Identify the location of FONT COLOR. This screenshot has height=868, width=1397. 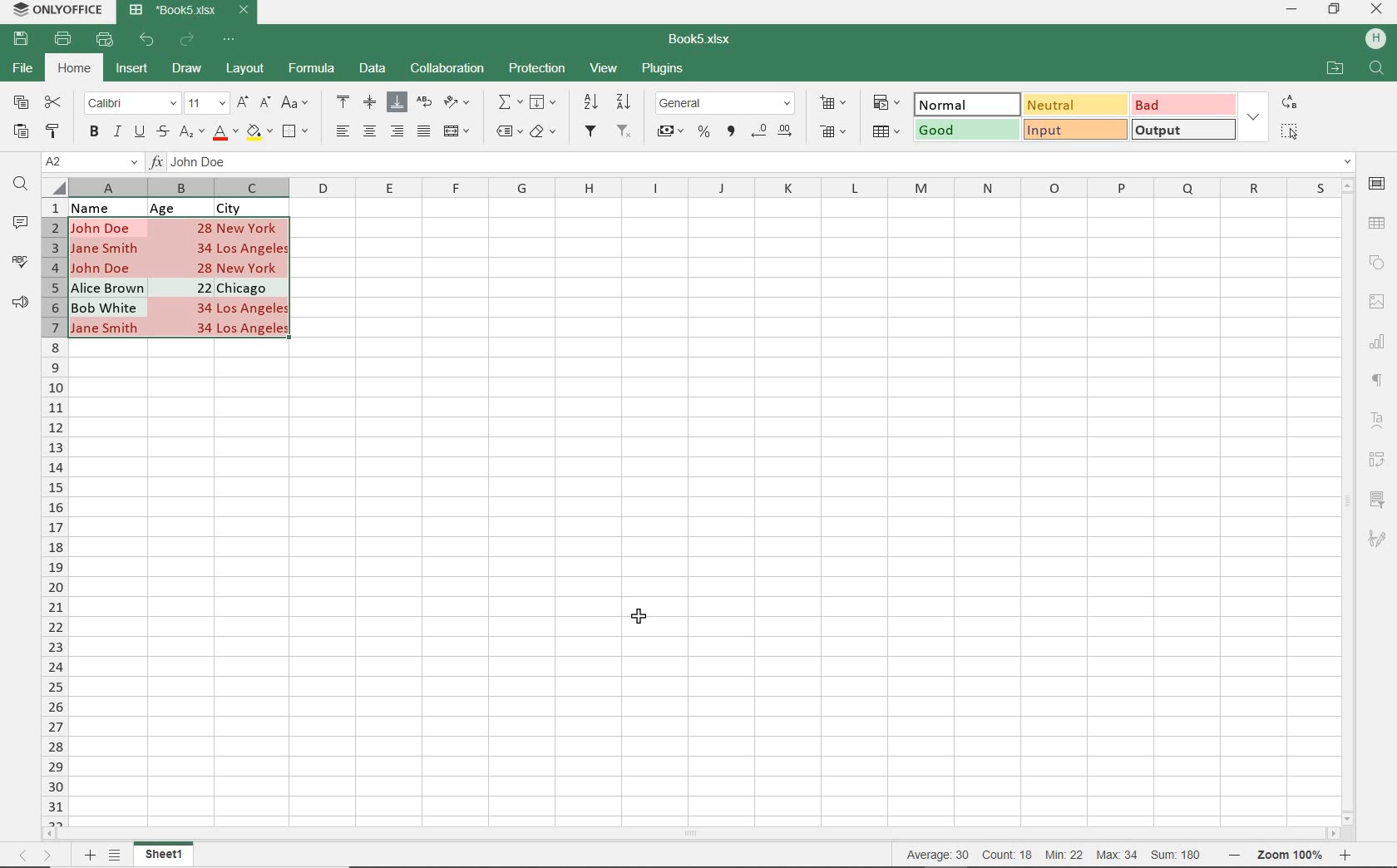
(225, 133).